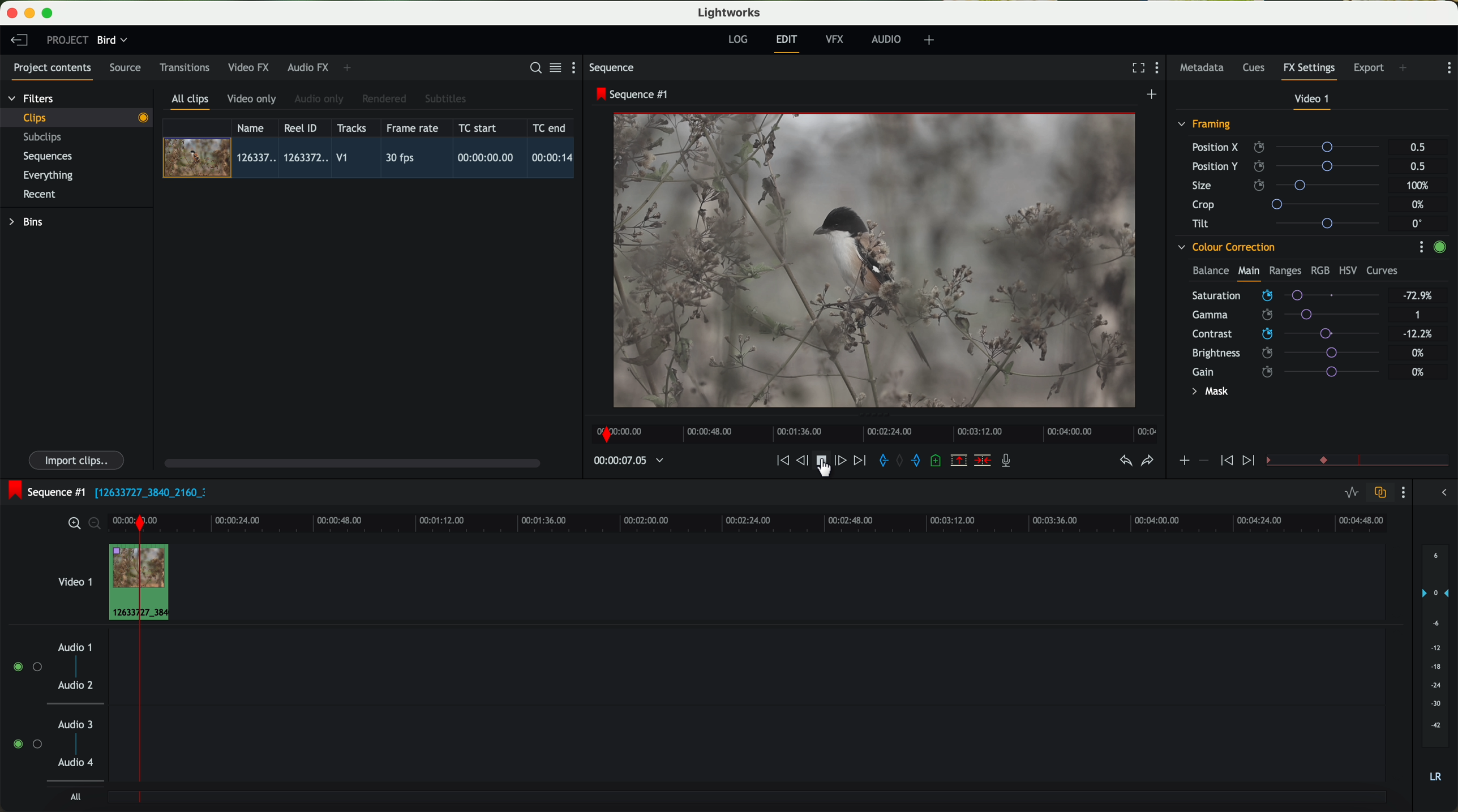  Describe the element at coordinates (74, 579) in the screenshot. I see `video 1` at that location.